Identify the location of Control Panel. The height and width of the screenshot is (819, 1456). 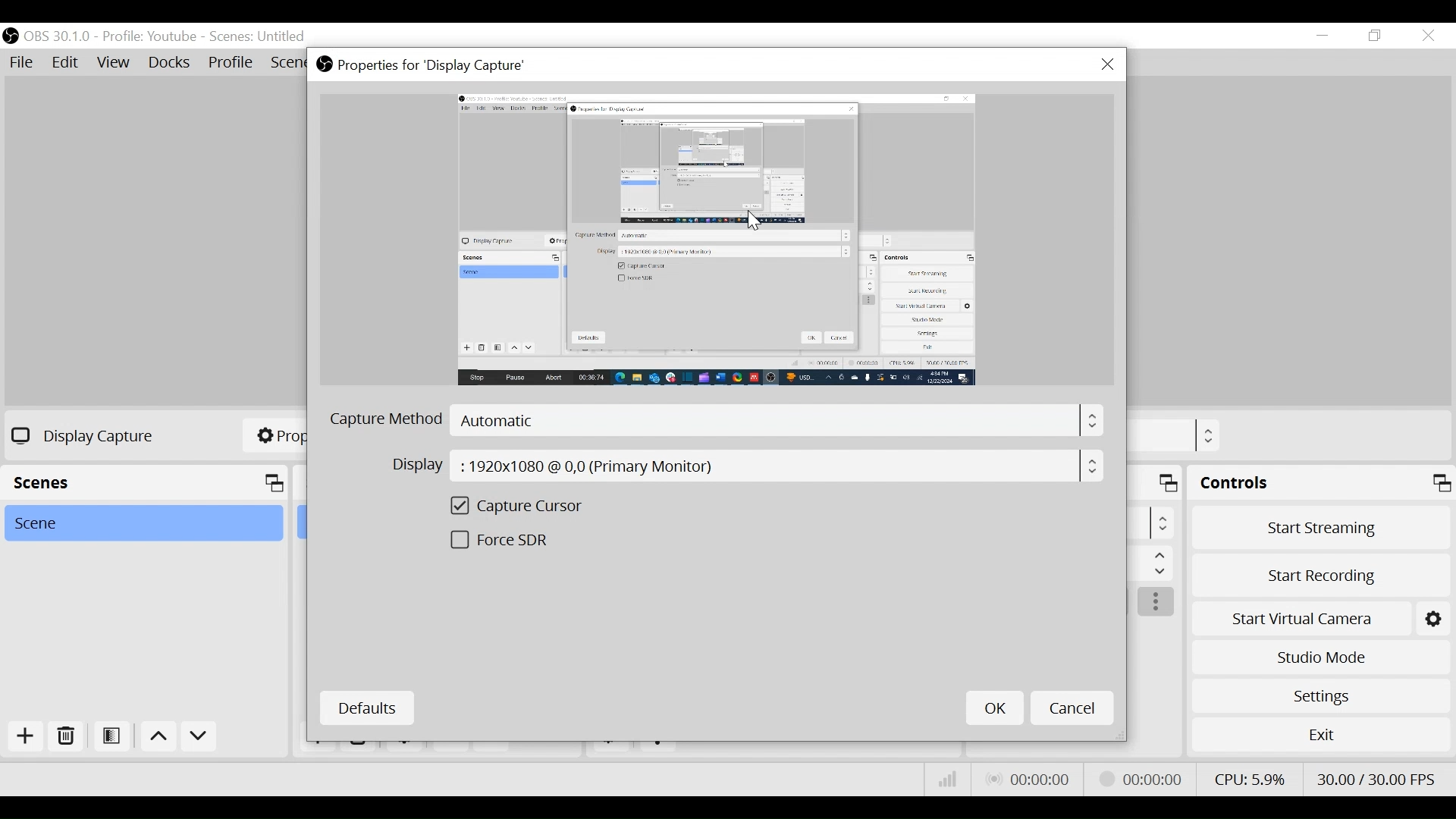
(1321, 482).